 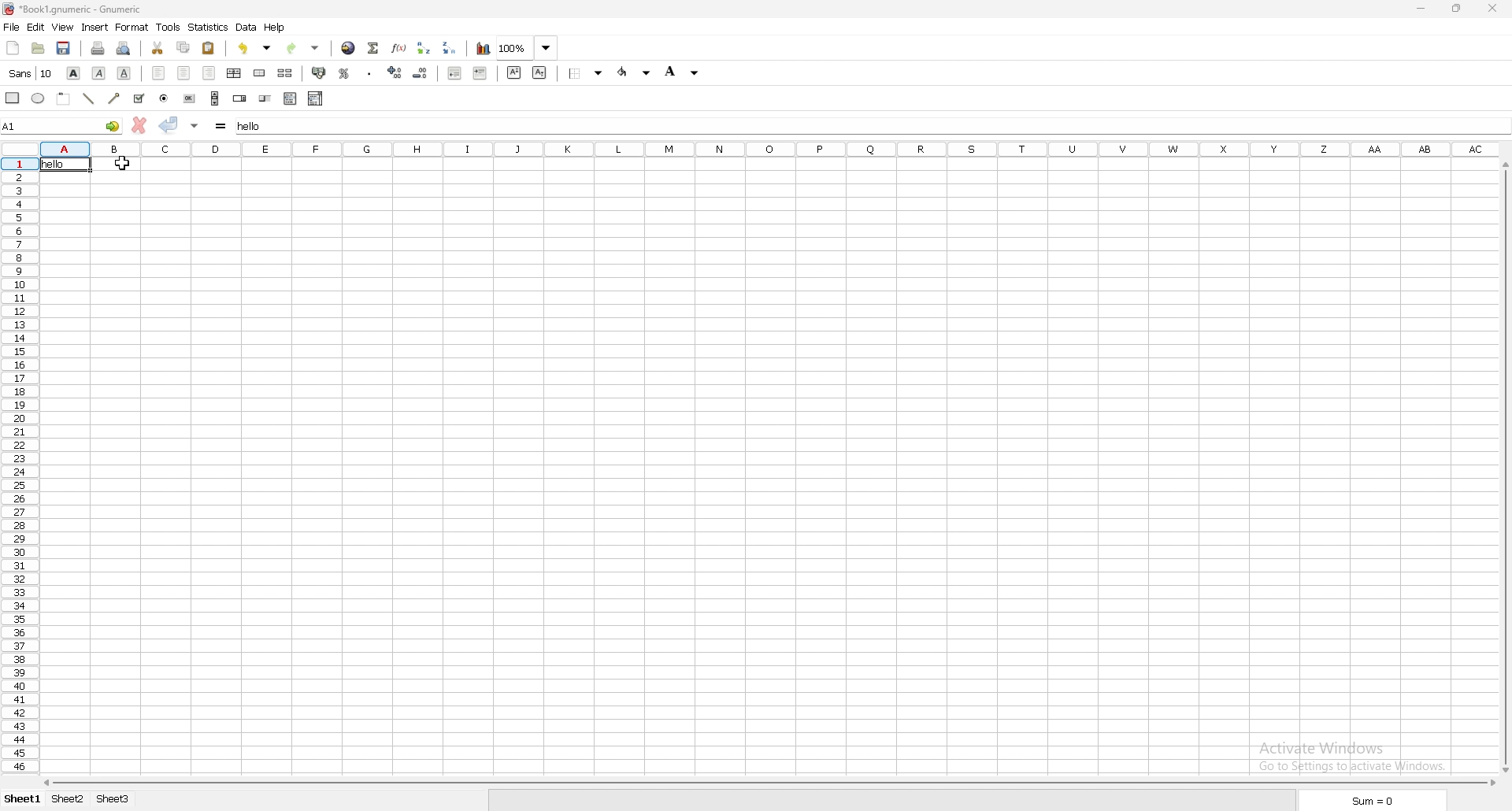 I want to click on redo, so click(x=306, y=46).